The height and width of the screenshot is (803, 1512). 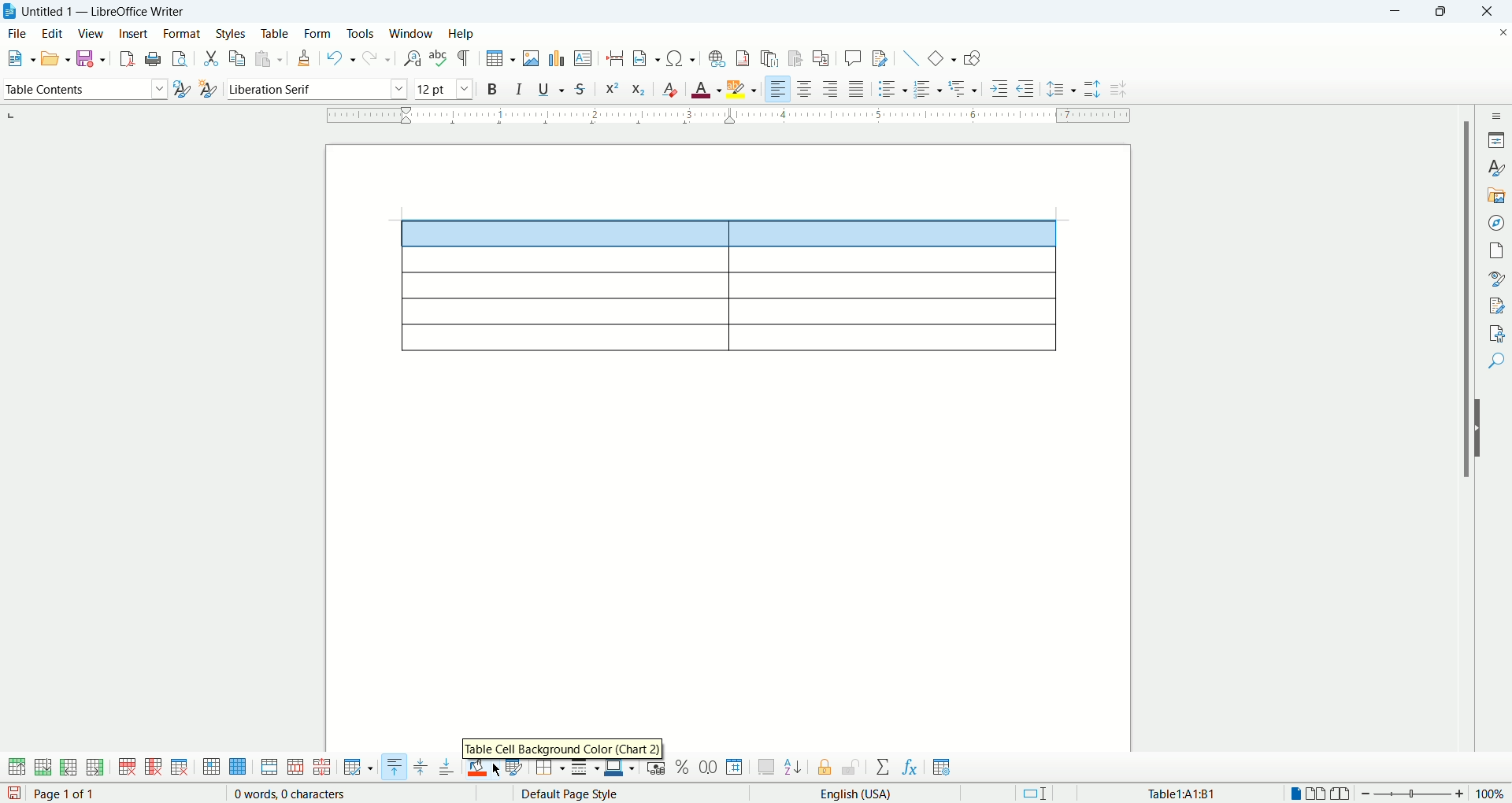 I want to click on sidebar settings, so click(x=1496, y=115).